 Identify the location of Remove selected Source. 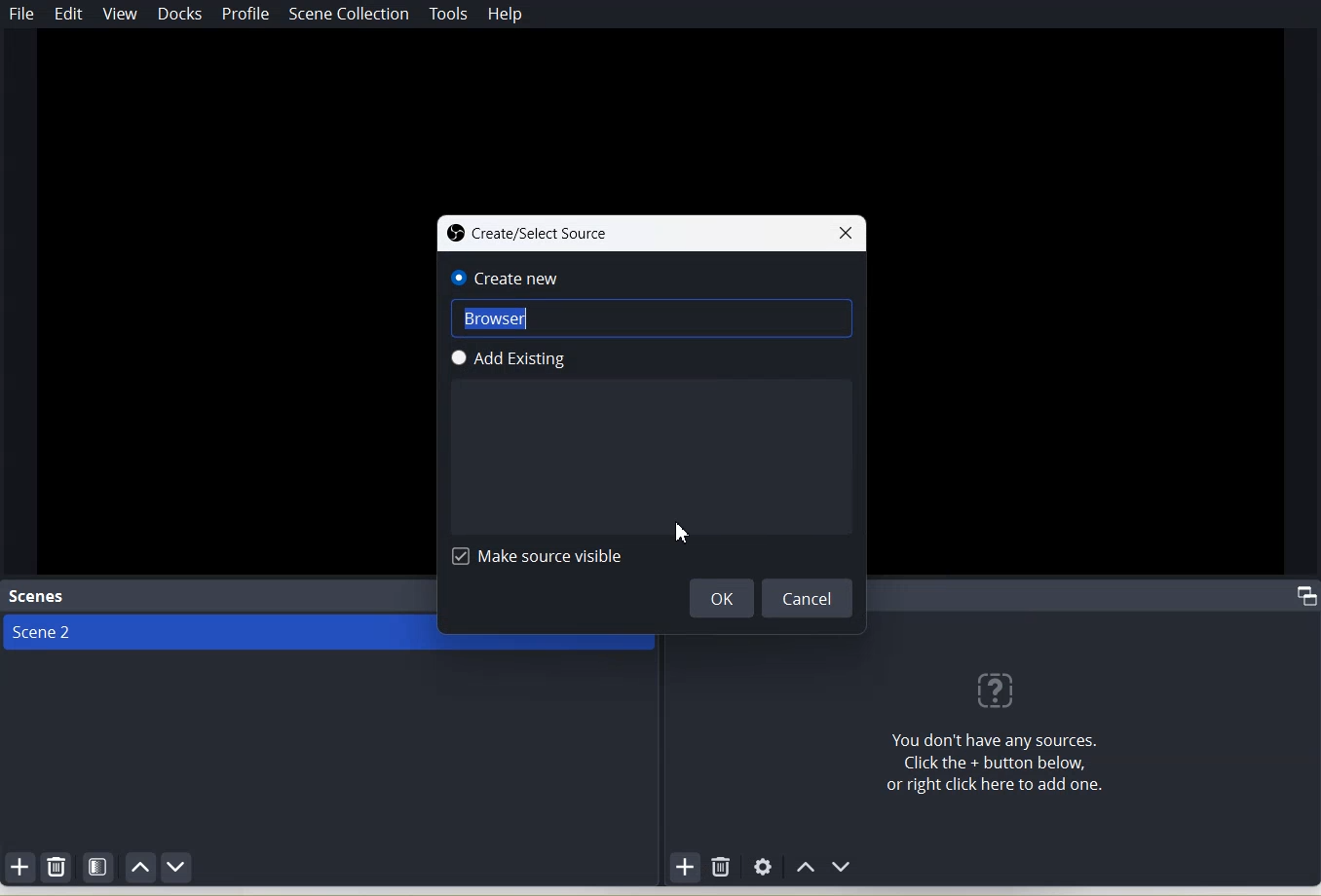
(722, 866).